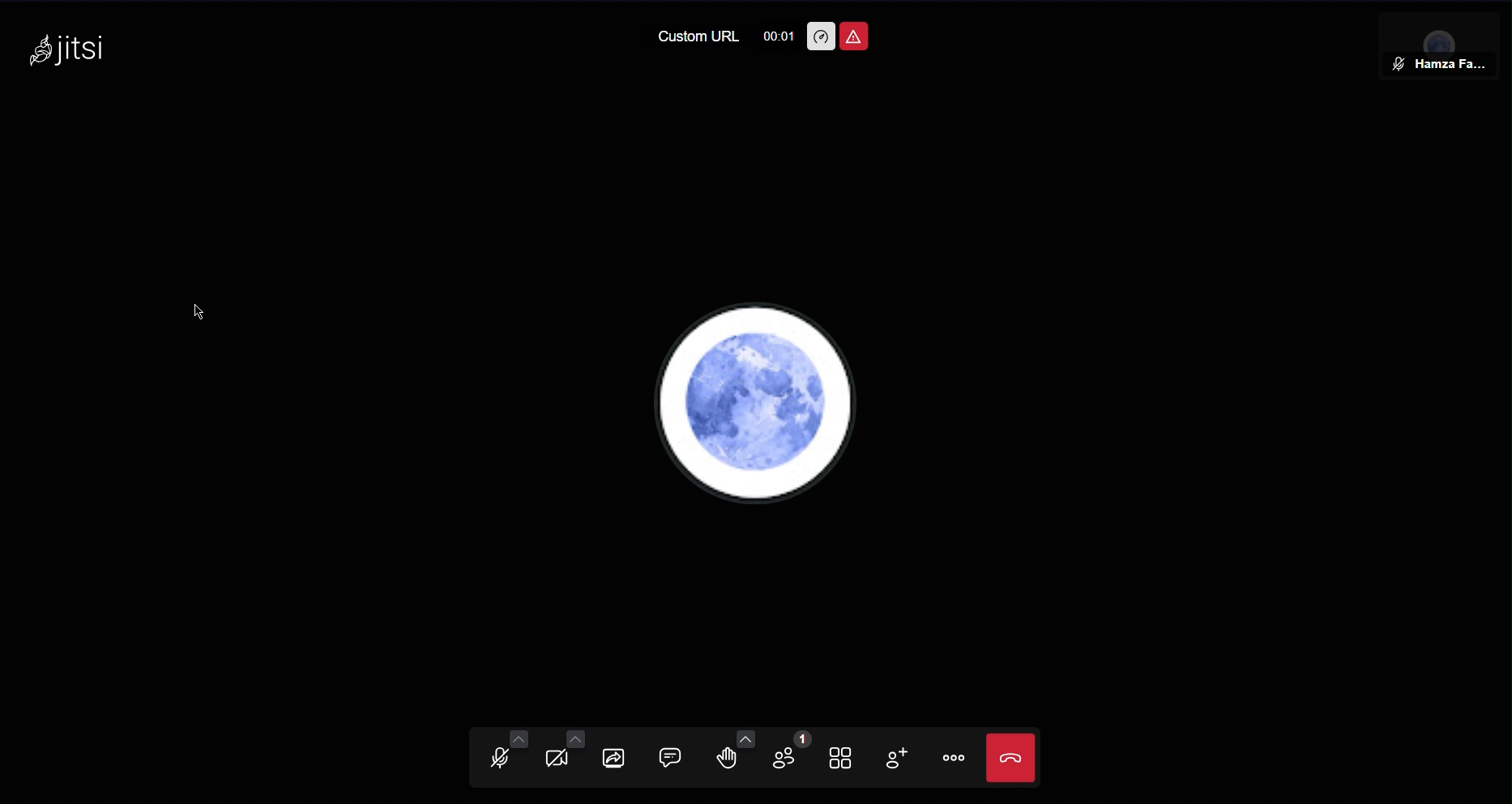 The height and width of the screenshot is (804, 1512). I want to click on Cursor, so click(203, 312).